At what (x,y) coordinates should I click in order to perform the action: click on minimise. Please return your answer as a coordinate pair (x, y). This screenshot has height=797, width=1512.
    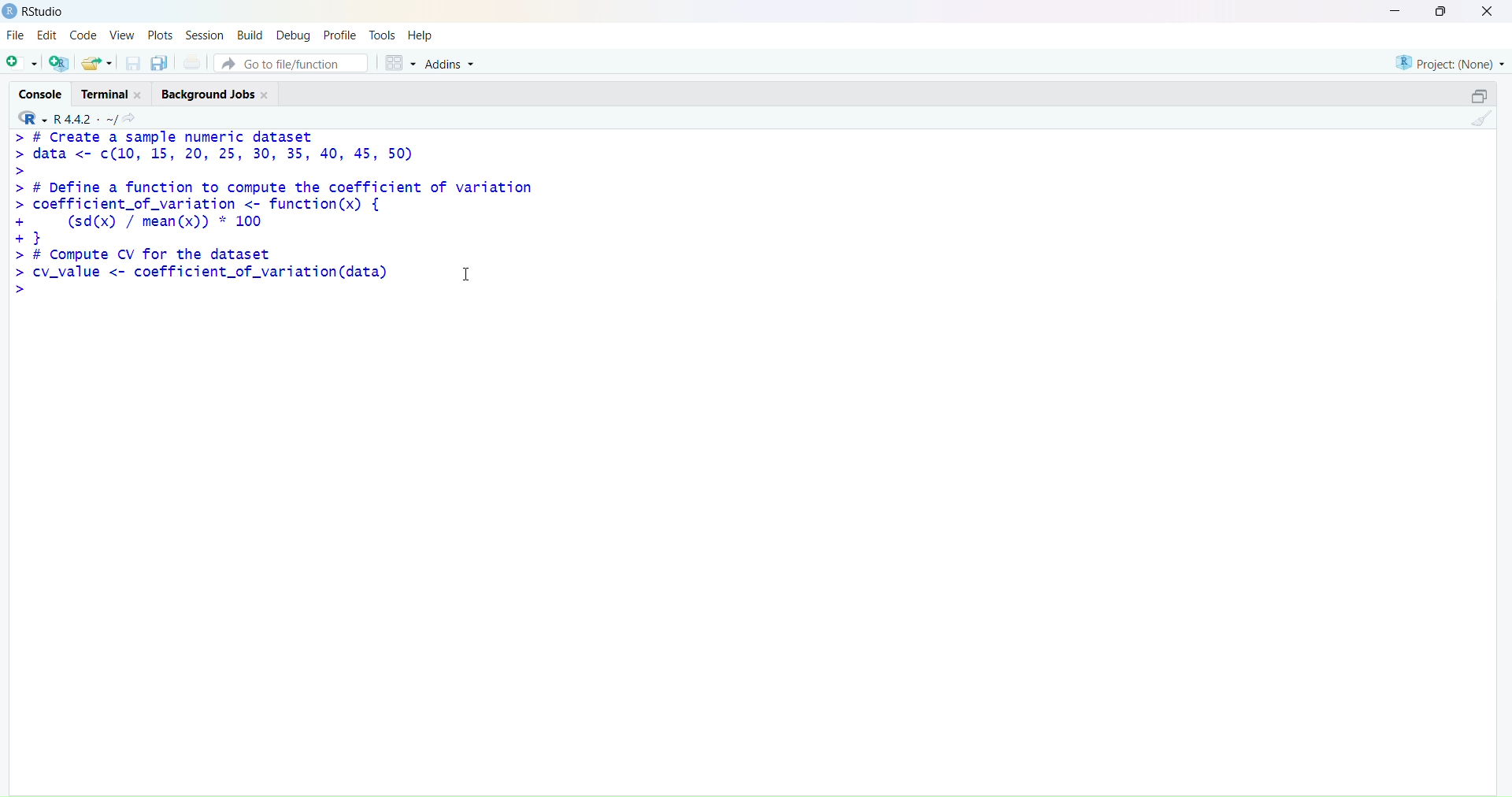
    Looking at the image, I should click on (1396, 10).